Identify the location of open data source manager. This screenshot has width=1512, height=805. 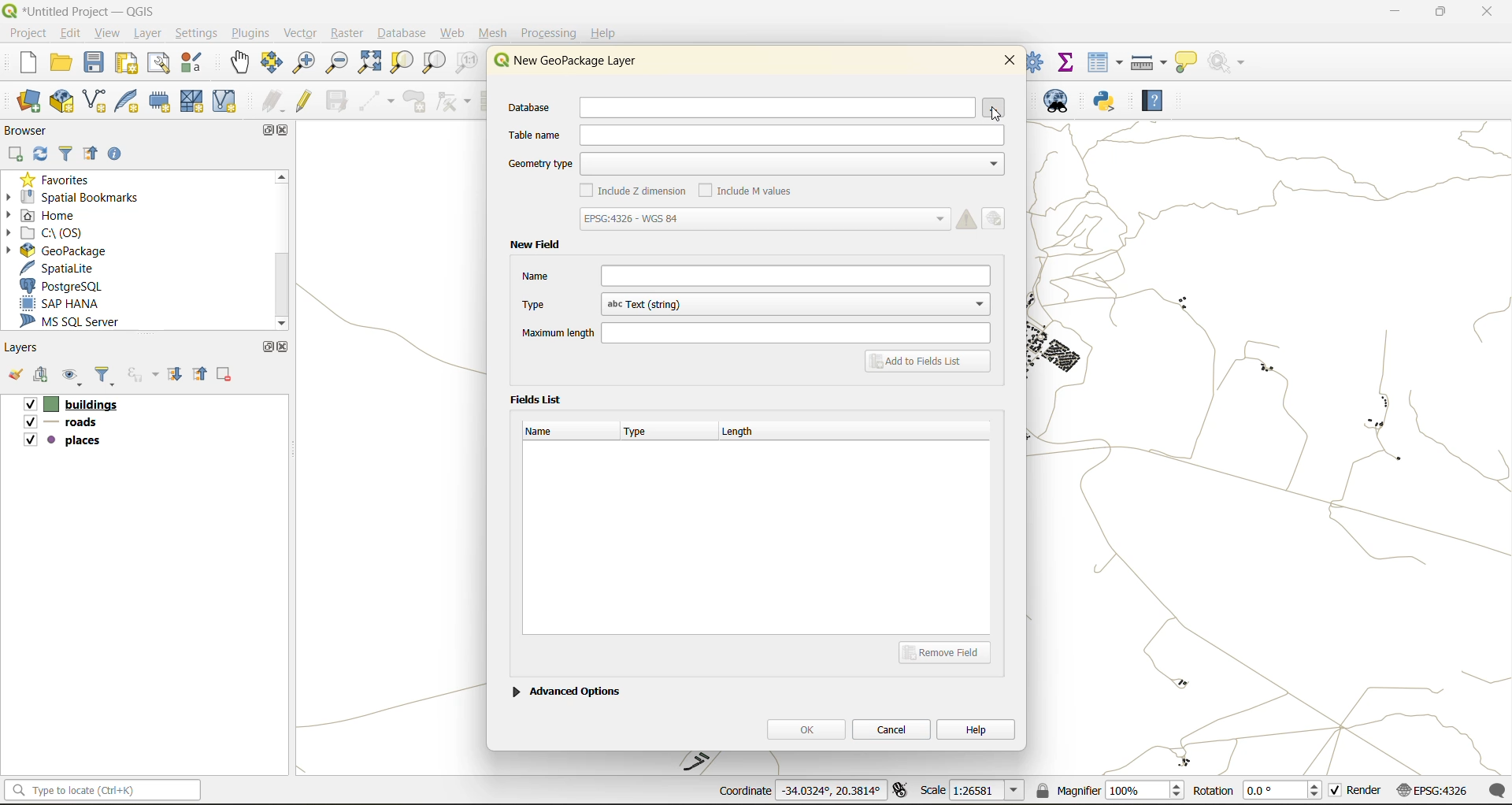
(29, 102).